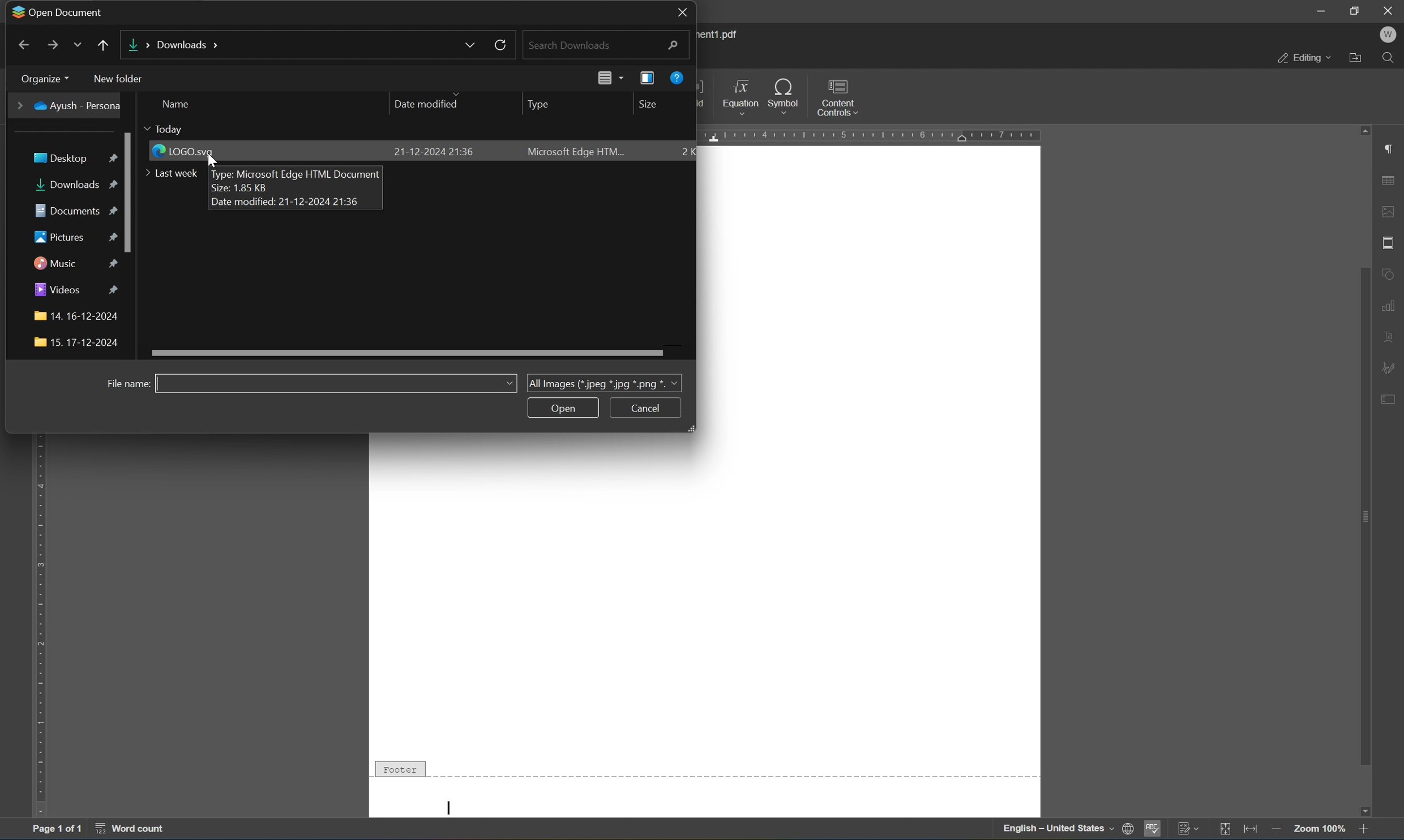 This screenshot has height=840, width=1404. Describe the element at coordinates (1318, 829) in the screenshot. I see `zoom 100%` at that location.